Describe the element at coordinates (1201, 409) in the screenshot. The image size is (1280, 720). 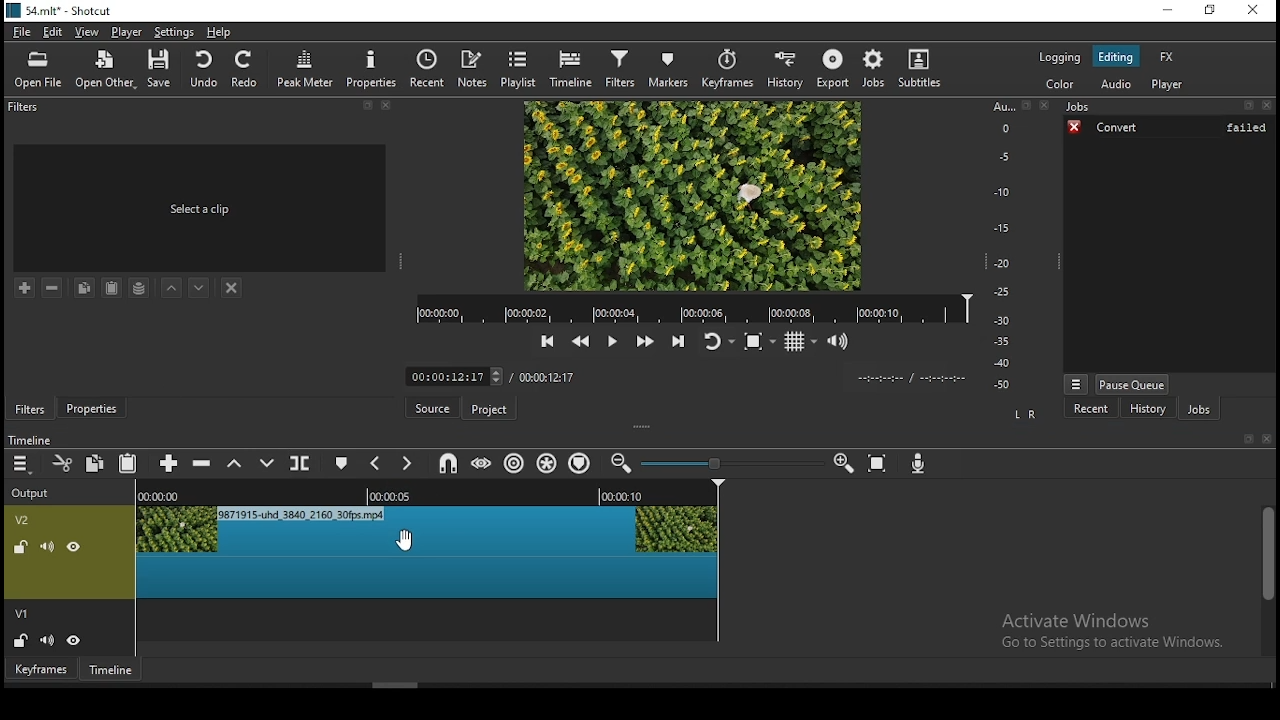
I see `jobs` at that location.